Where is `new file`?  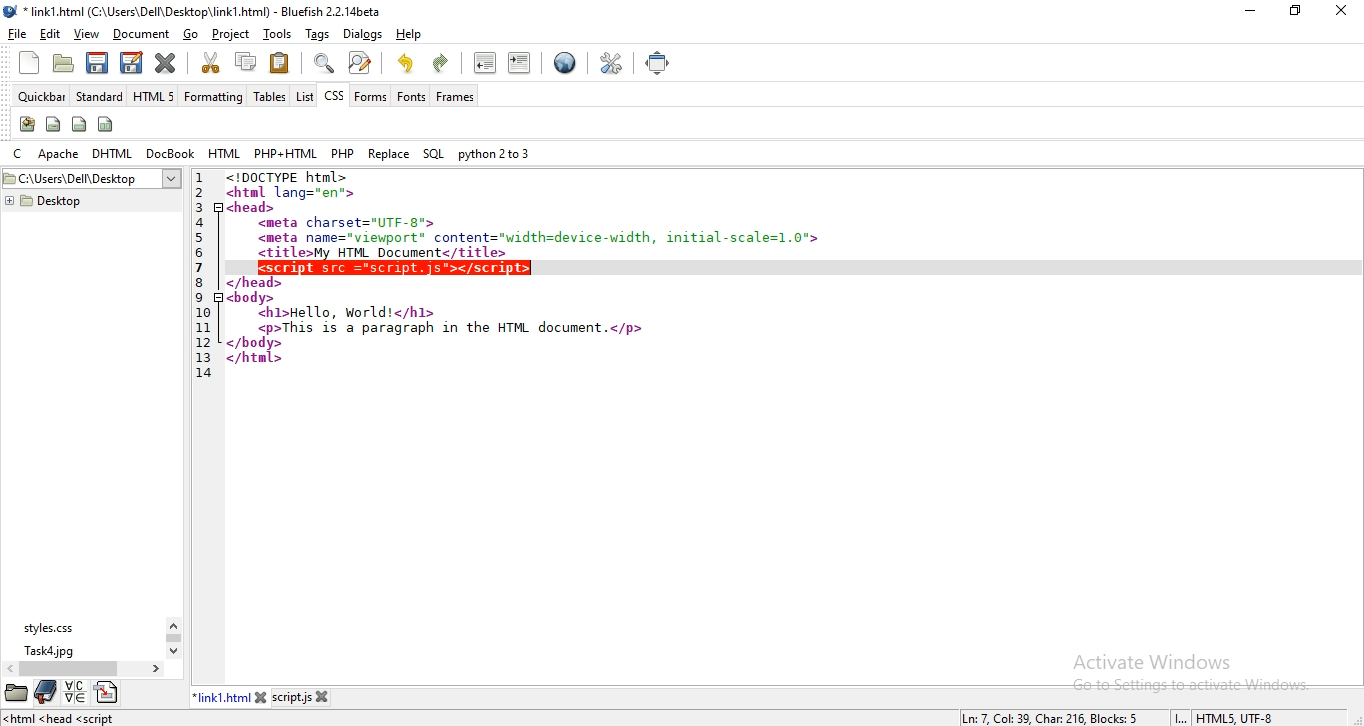
new file is located at coordinates (27, 62).